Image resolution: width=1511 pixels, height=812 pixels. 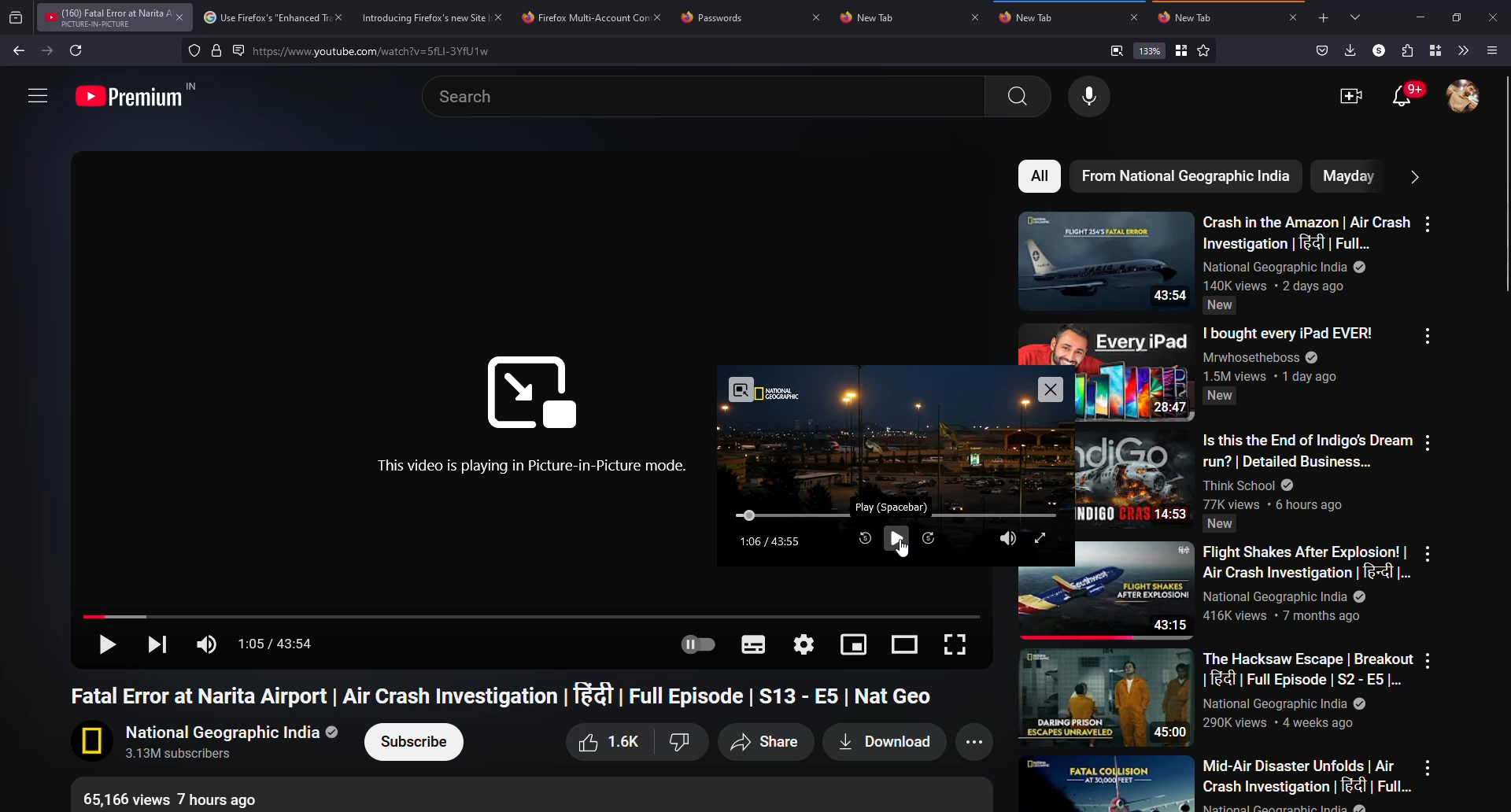 What do you see at coordinates (1203, 51) in the screenshot?
I see `favorite` at bounding box center [1203, 51].